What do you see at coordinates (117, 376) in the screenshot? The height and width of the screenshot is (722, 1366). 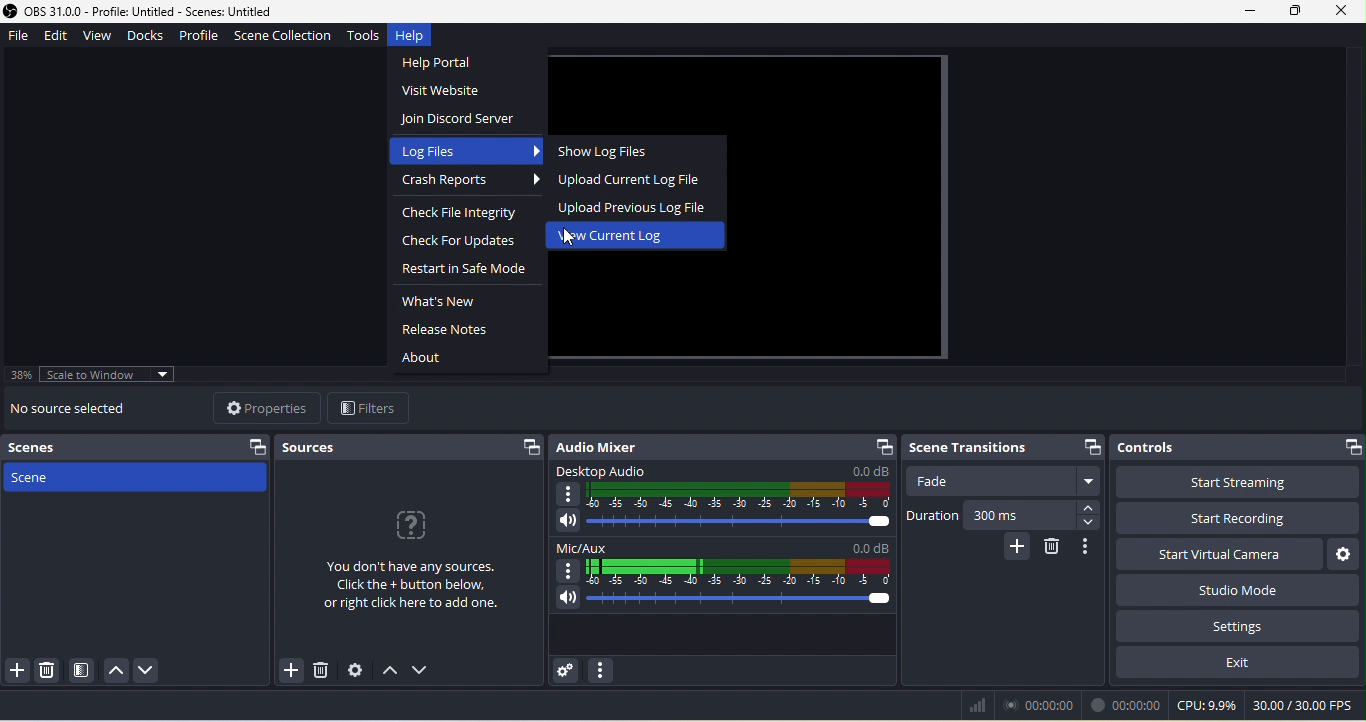 I see `scale to window` at bounding box center [117, 376].